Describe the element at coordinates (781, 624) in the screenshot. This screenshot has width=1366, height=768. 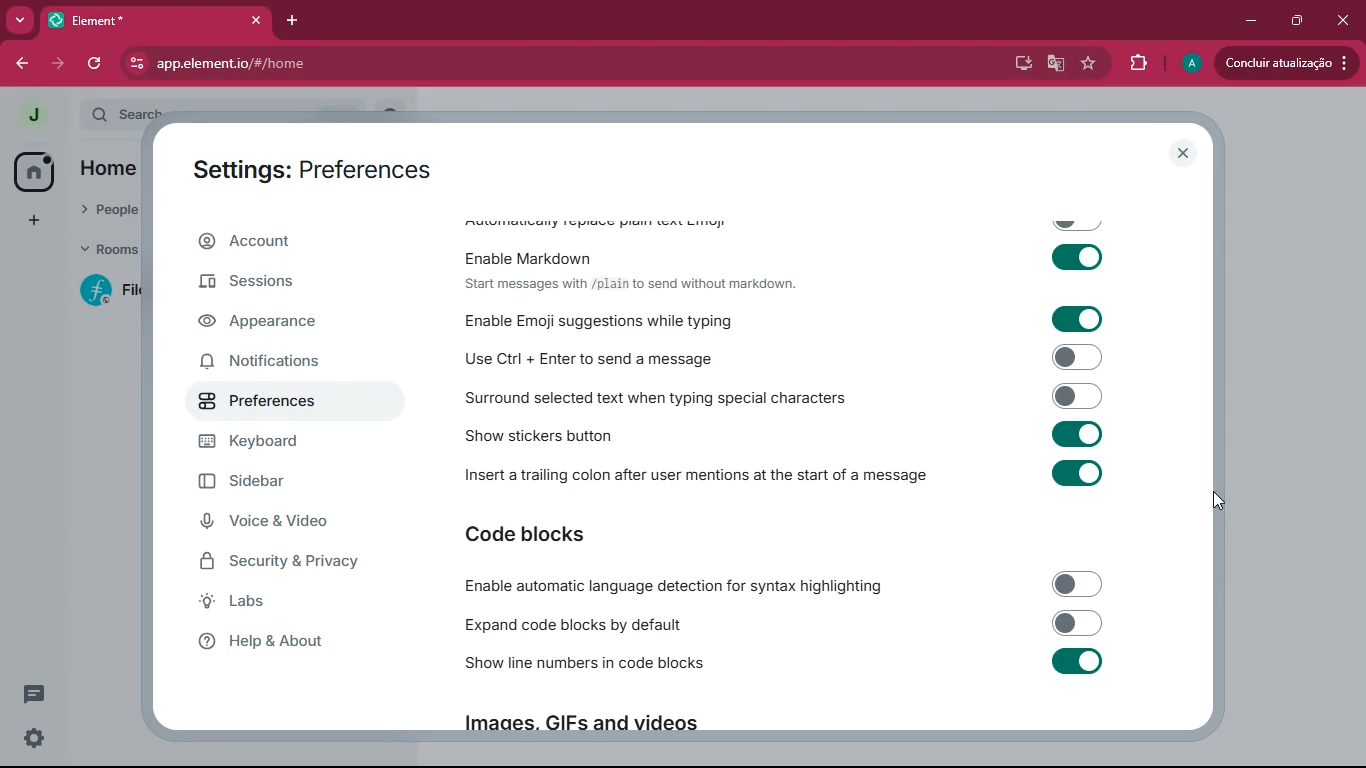
I see `Expand code blocks by default` at that location.